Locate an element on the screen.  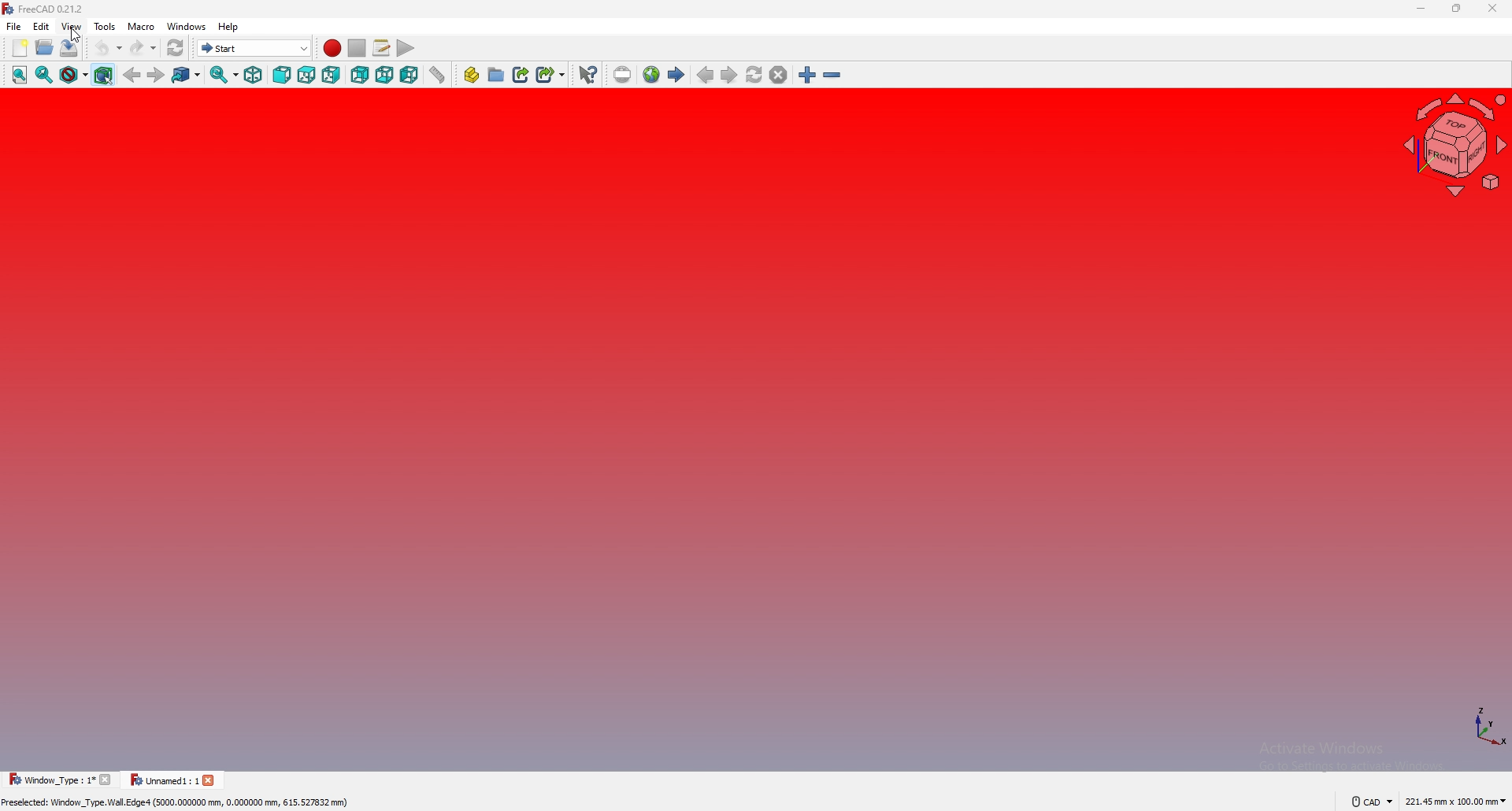
axis is located at coordinates (1491, 727).